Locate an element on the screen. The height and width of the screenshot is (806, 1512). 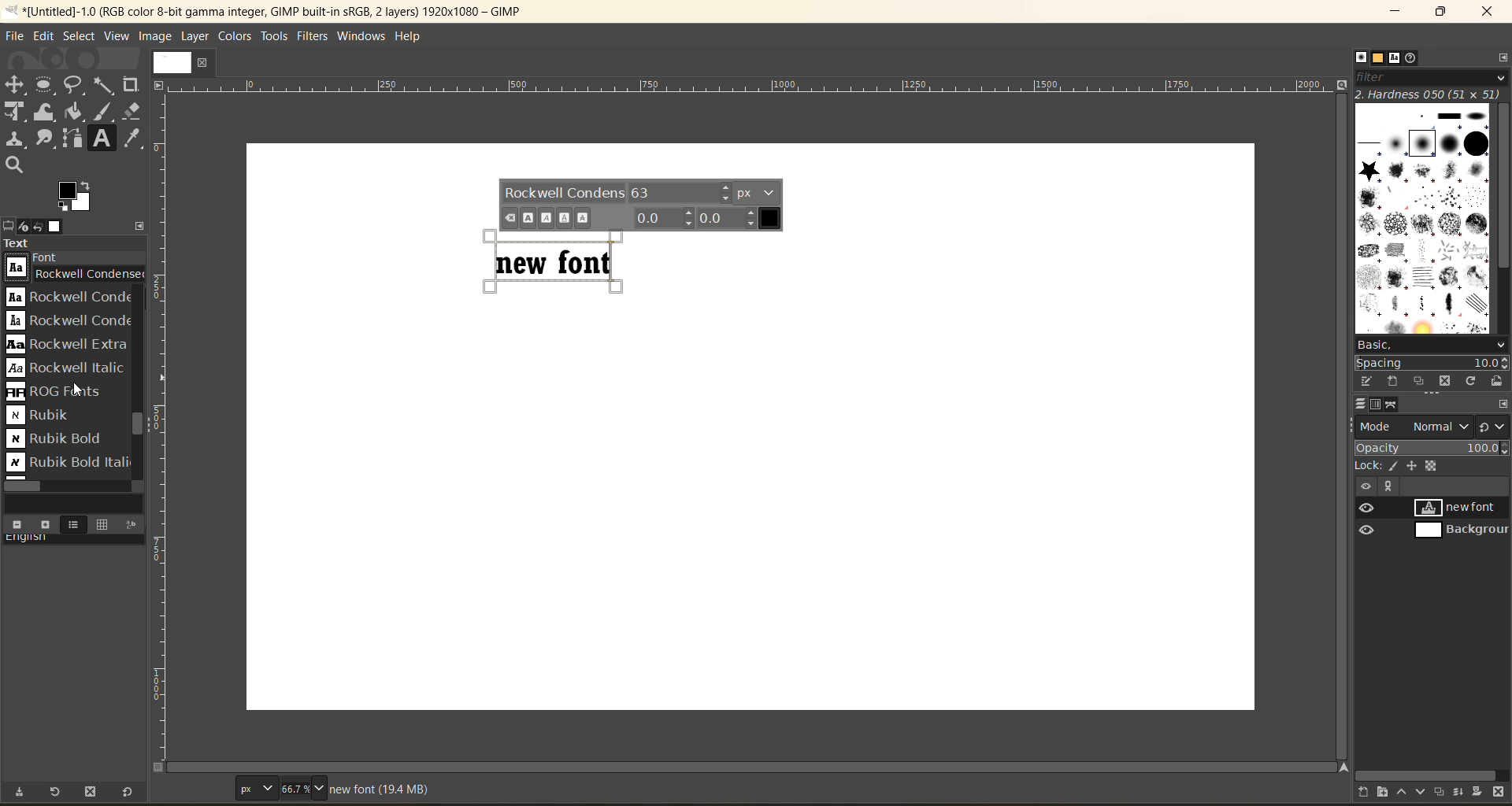
patterns is located at coordinates (1382, 58).